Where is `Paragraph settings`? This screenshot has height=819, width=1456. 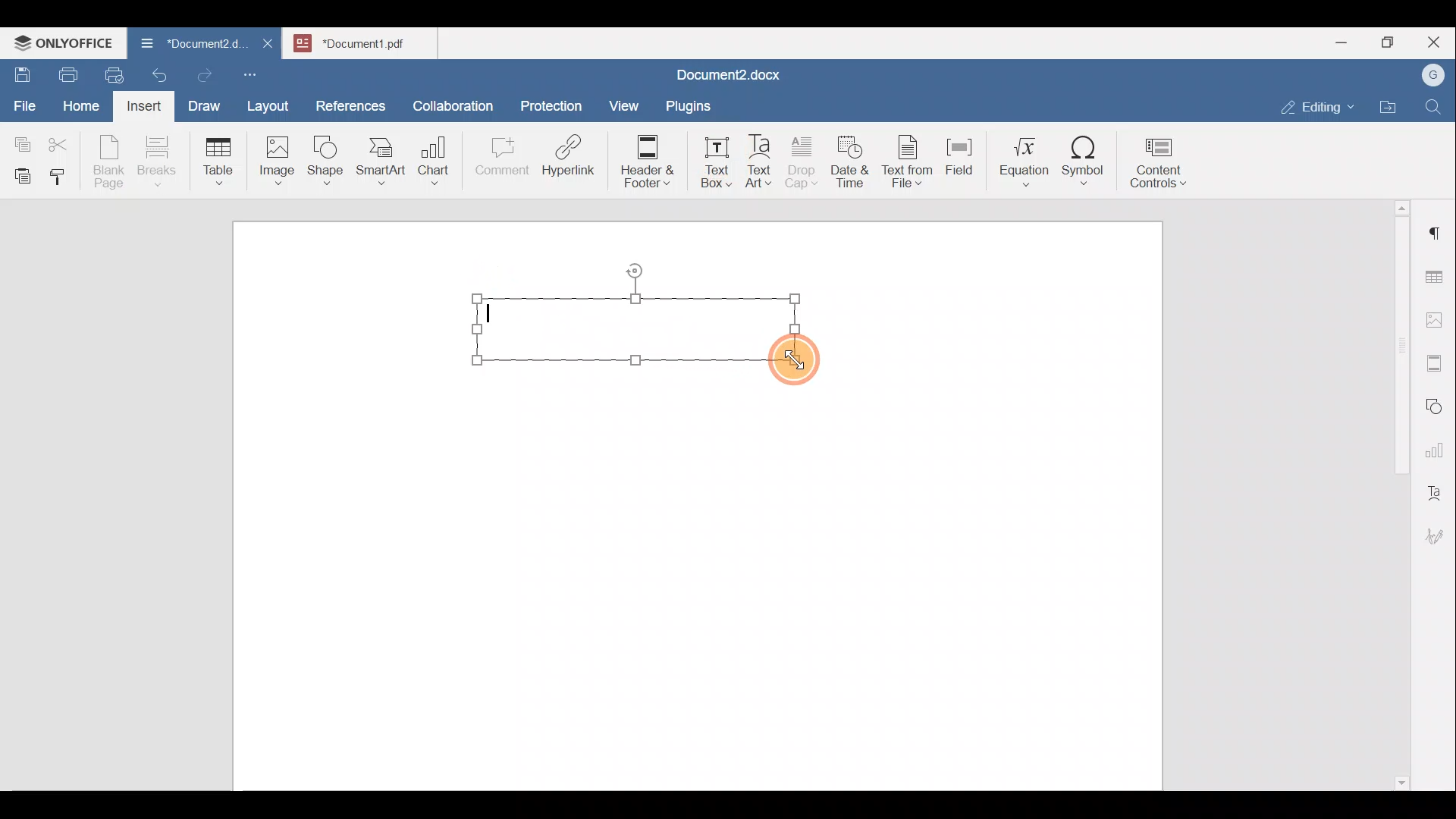 Paragraph settings is located at coordinates (1436, 227).